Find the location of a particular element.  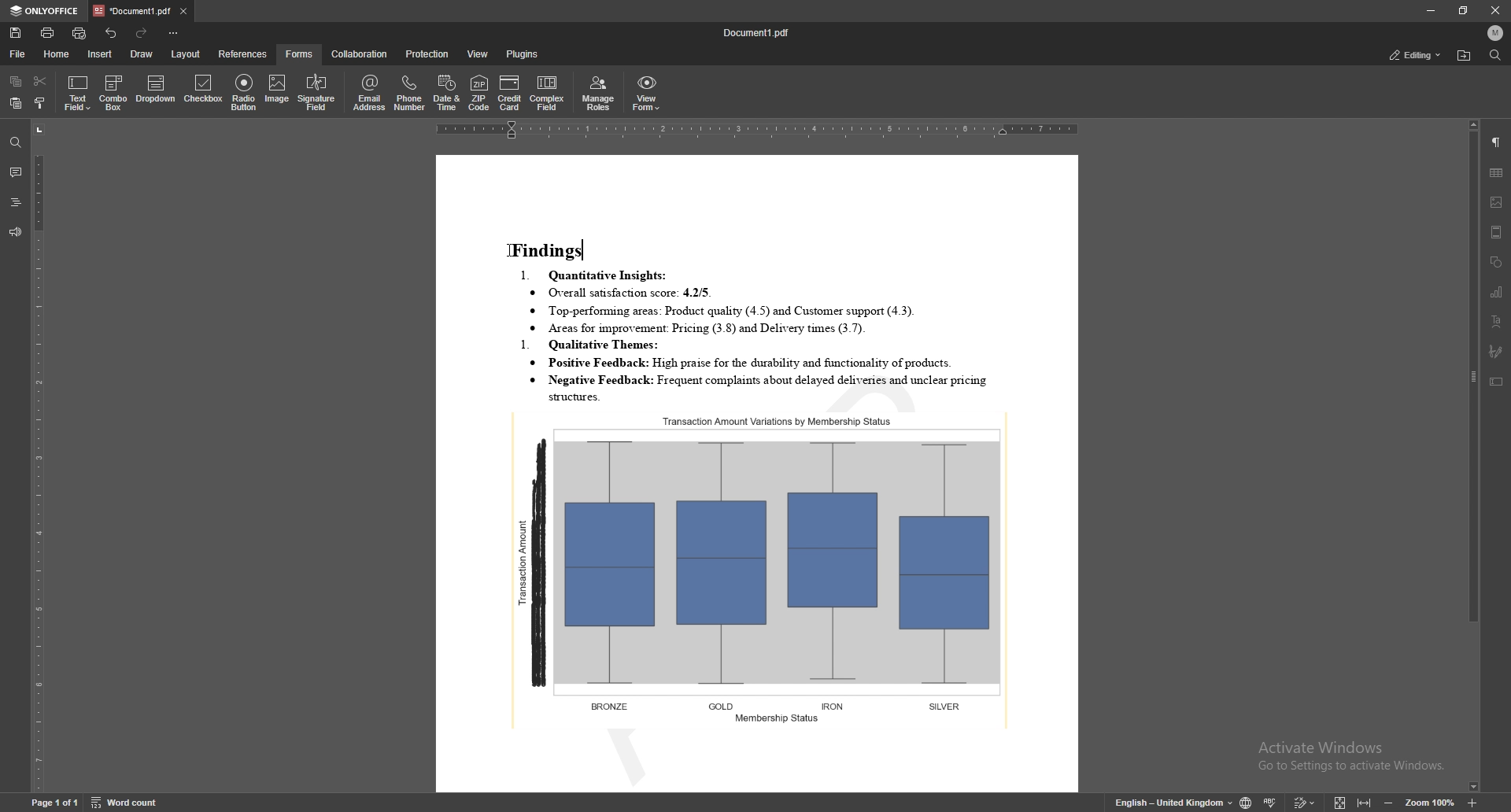

Findings is located at coordinates (552, 248).